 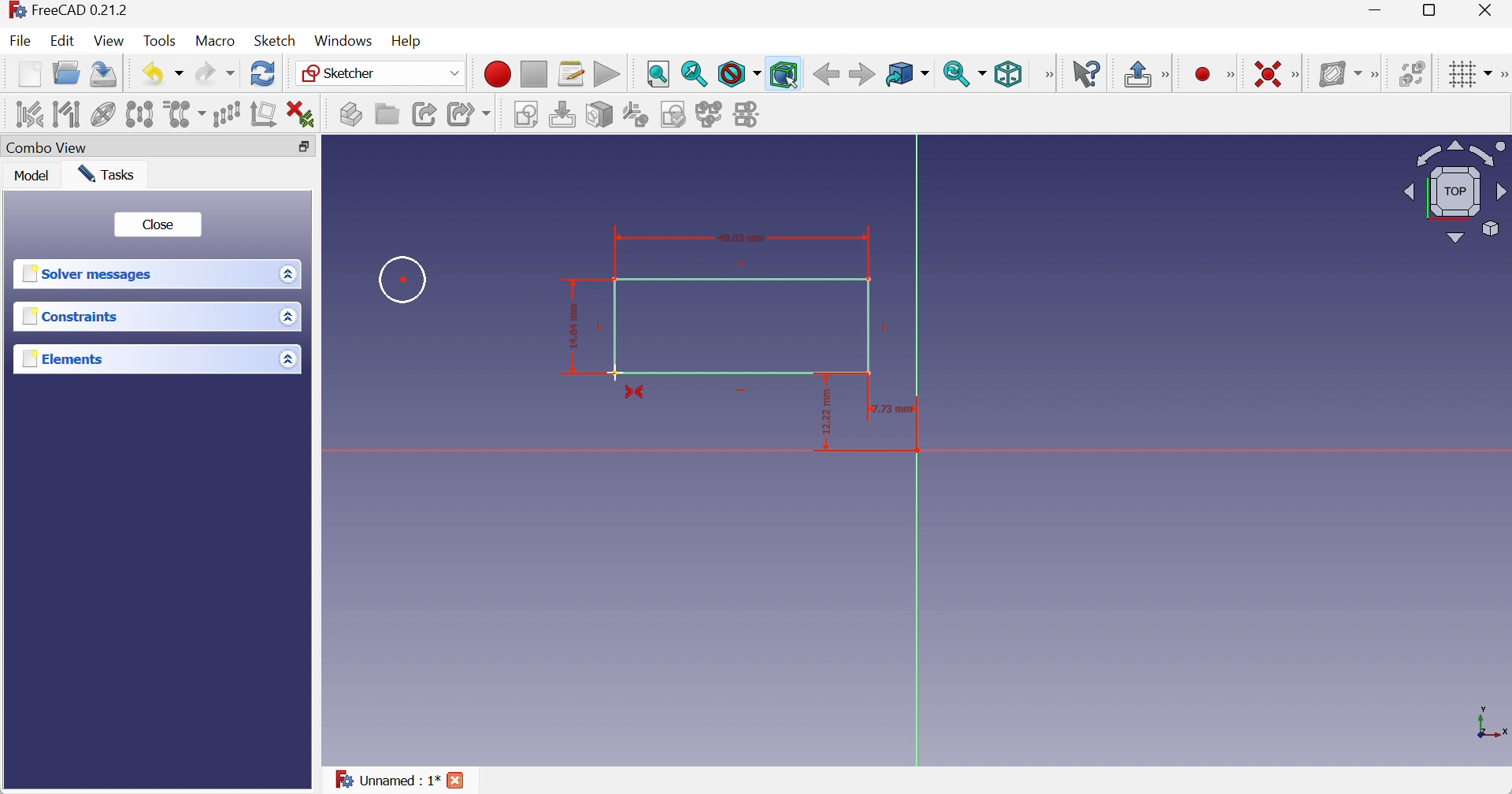 I want to click on Constraints, so click(x=73, y=315).